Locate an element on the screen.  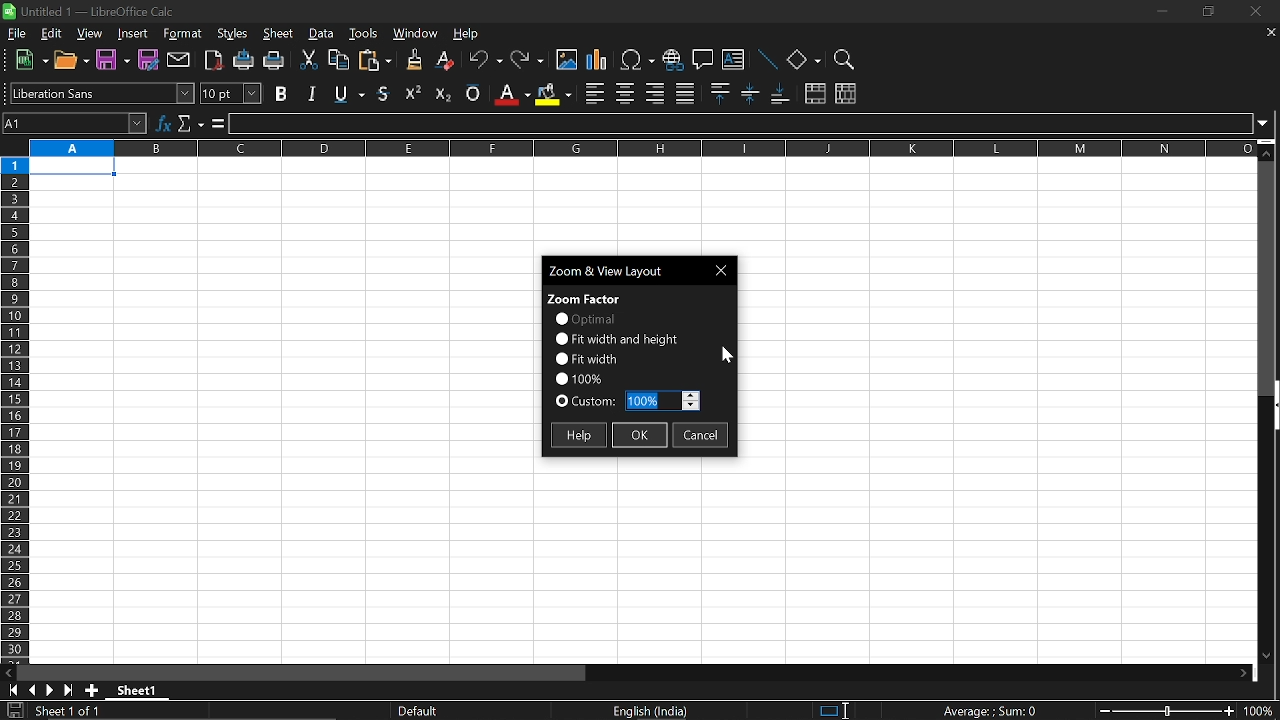
superscript is located at coordinates (414, 92).